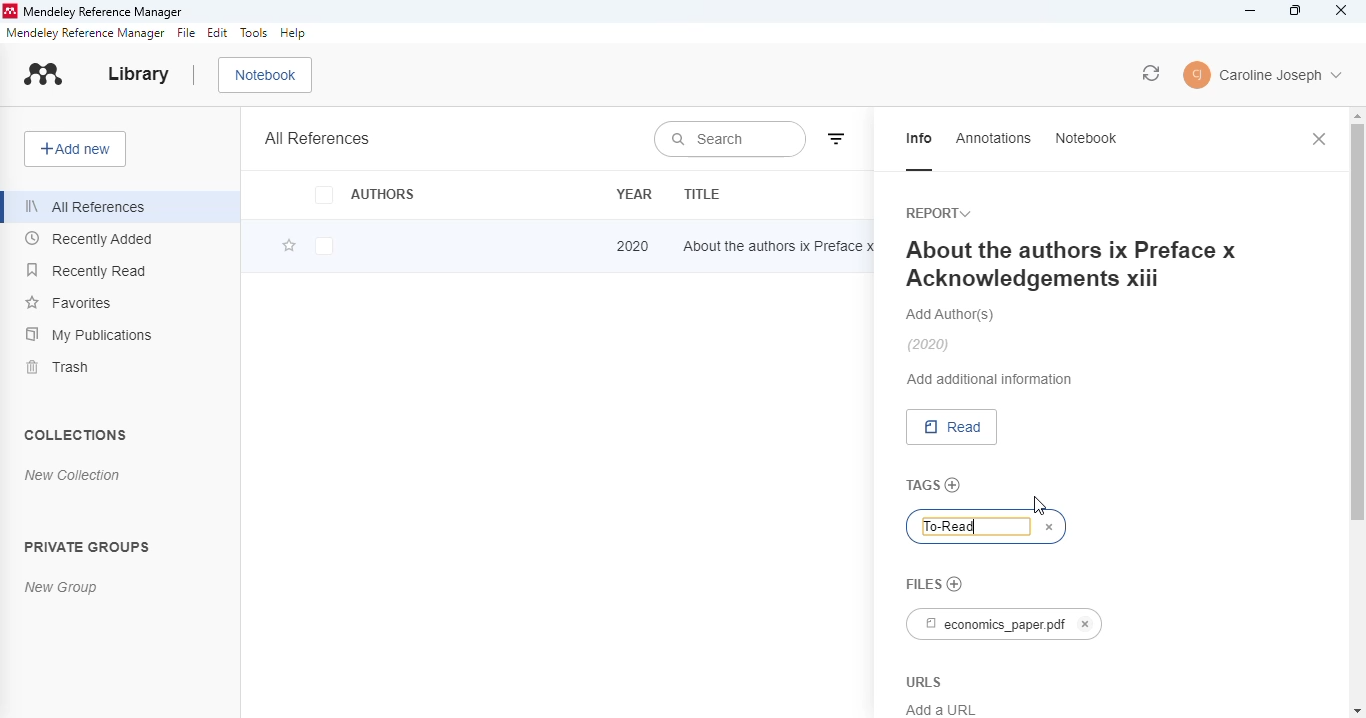  Describe the element at coordinates (1297, 11) in the screenshot. I see `maximize` at that location.